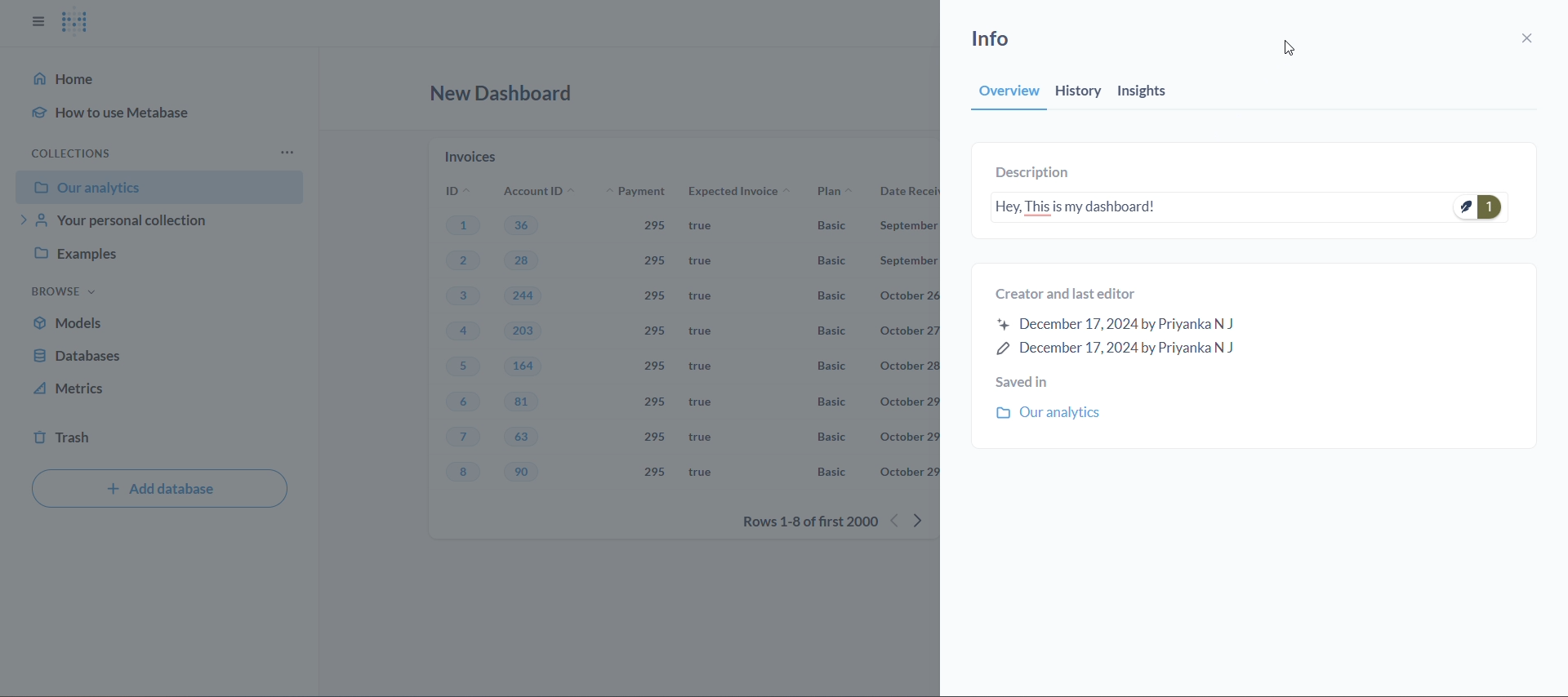 This screenshot has height=697, width=1568. What do you see at coordinates (907, 436) in the screenshot?
I see `october 29` at bounding box center [907, 436].